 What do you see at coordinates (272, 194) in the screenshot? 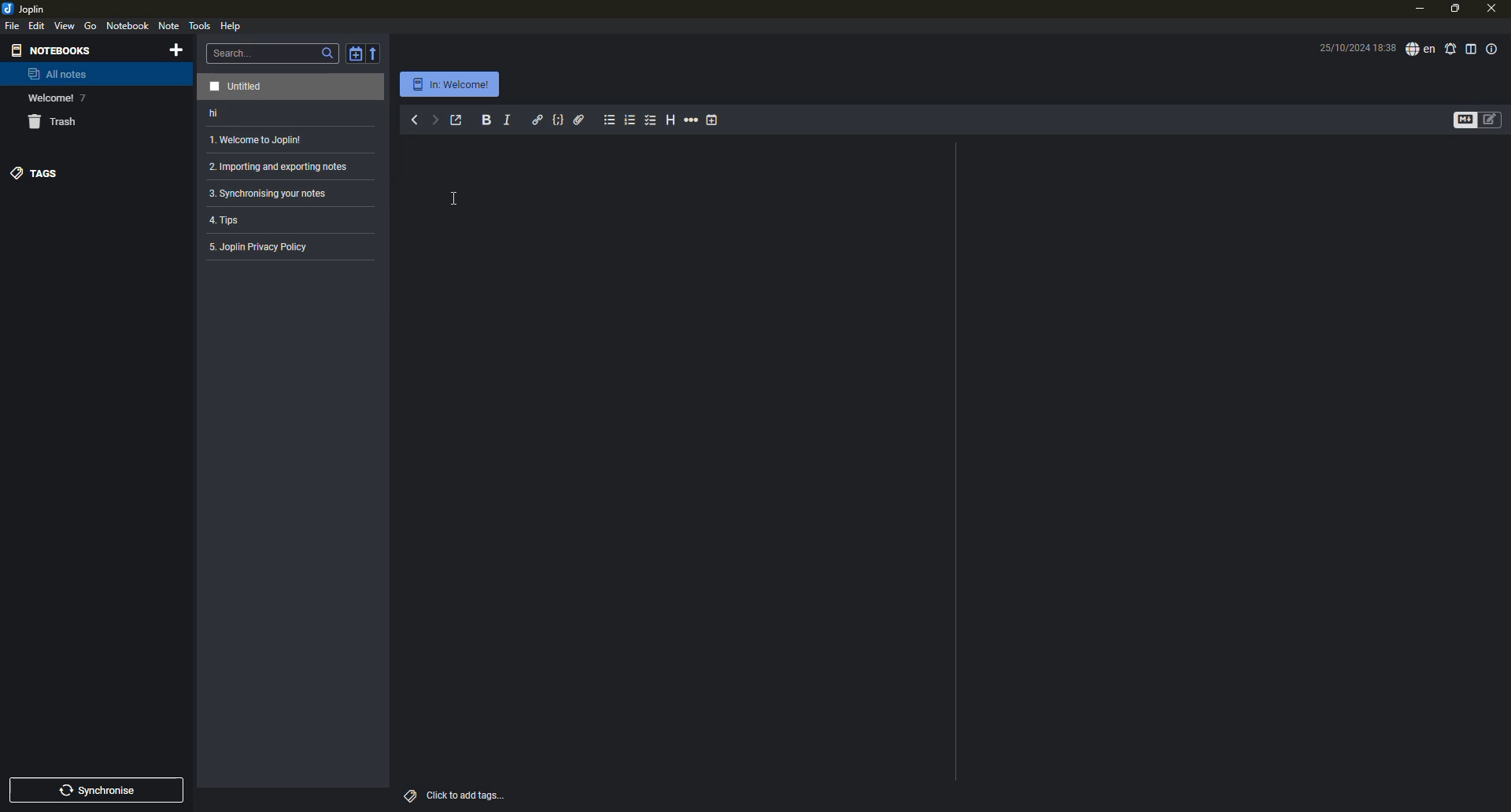
I see `3. Synchronising your notes` at bounding box center [272, 194].